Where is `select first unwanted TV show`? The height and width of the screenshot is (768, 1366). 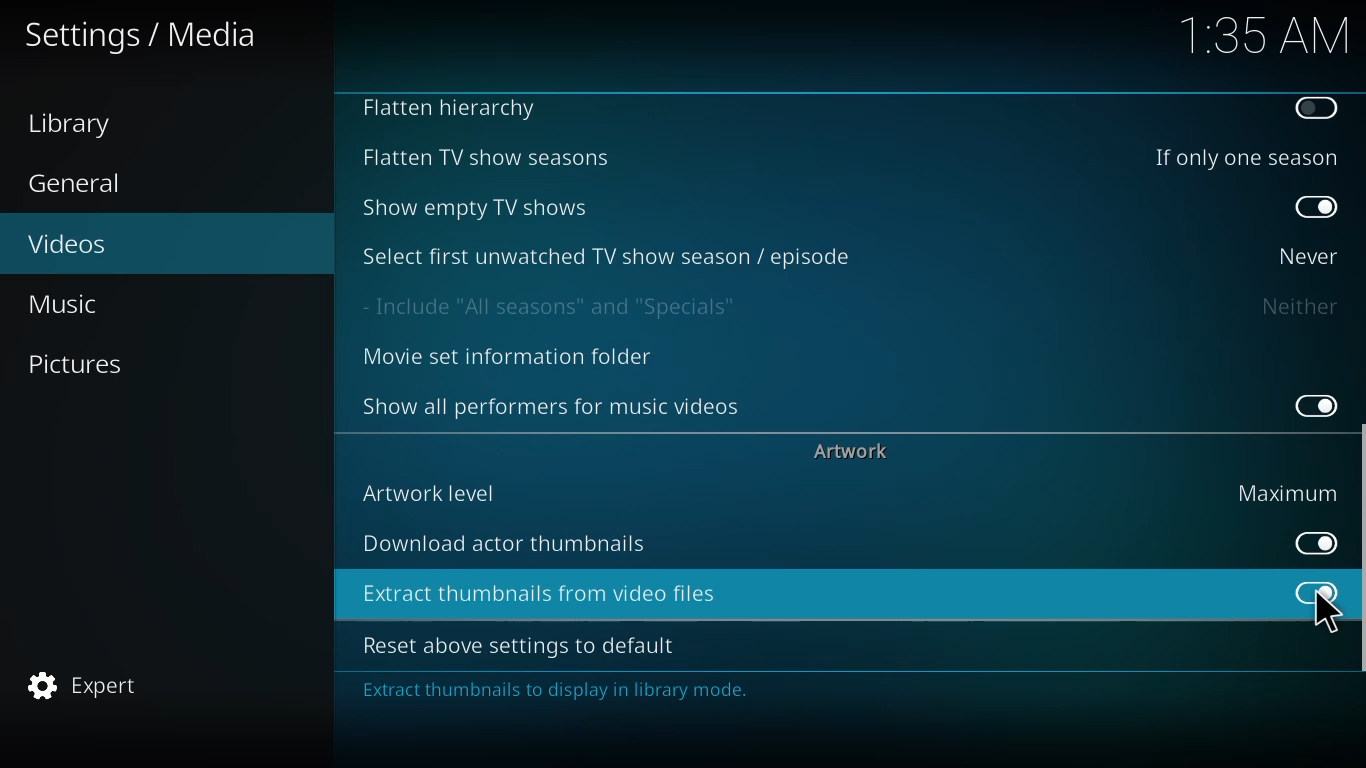
select first unwanted TV show is located at coordinates (609, 255).